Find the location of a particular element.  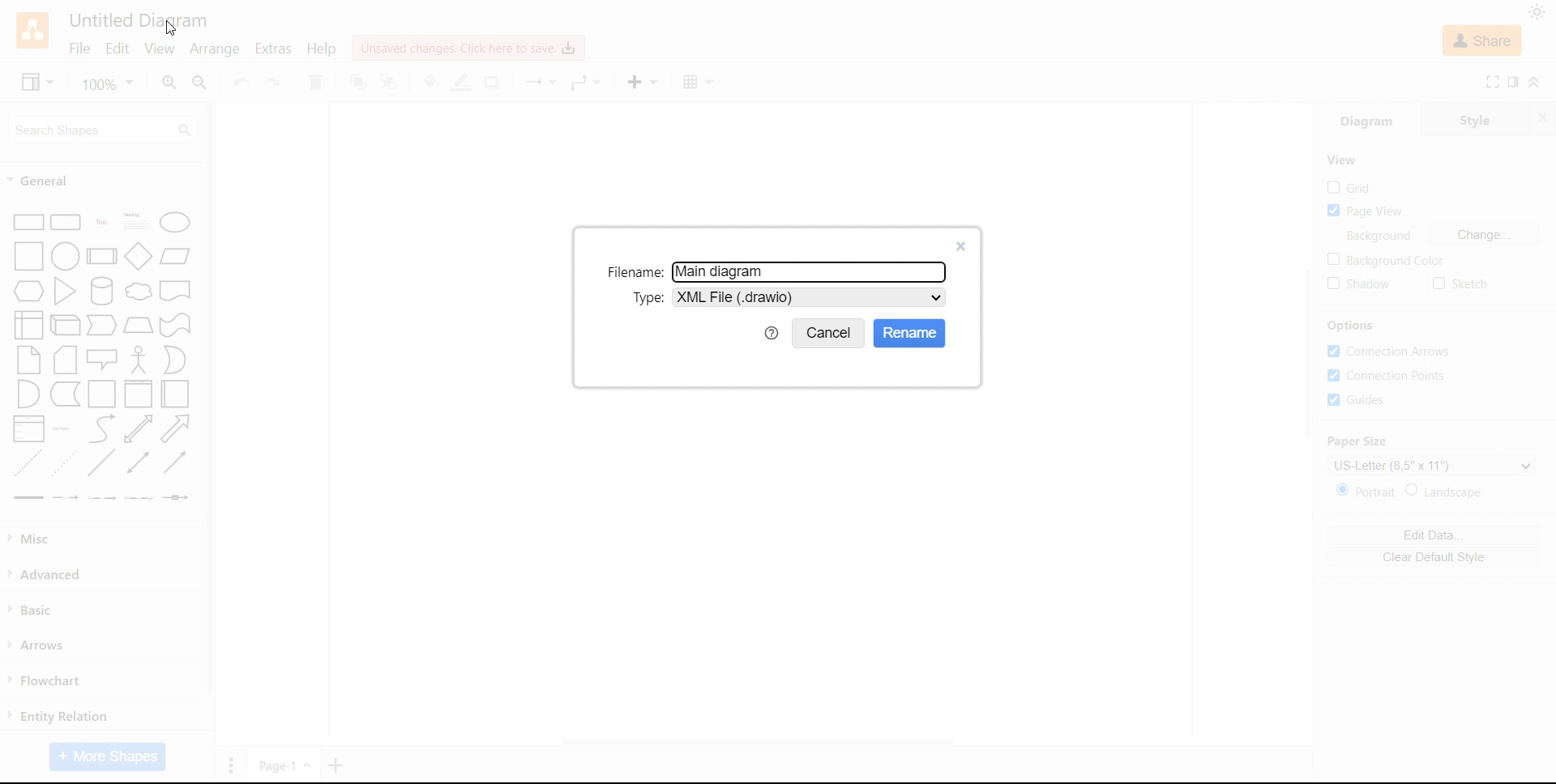

Table  is located at coordinates (699, 83).